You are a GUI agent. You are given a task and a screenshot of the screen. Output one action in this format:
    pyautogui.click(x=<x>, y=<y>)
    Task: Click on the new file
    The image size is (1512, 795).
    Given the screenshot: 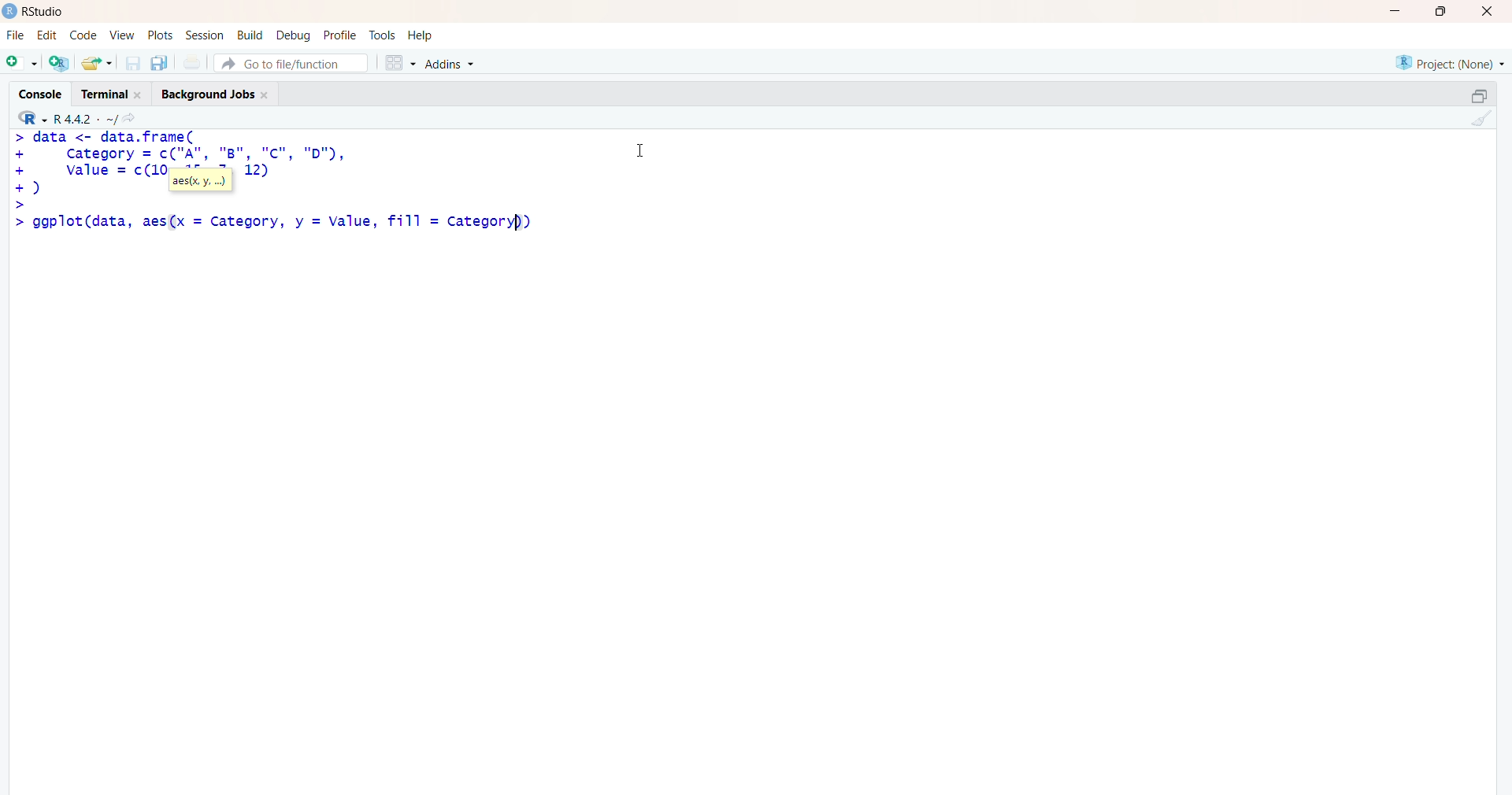 What is the action you would take?
    pyautogui.click(x=21, y=61)
    